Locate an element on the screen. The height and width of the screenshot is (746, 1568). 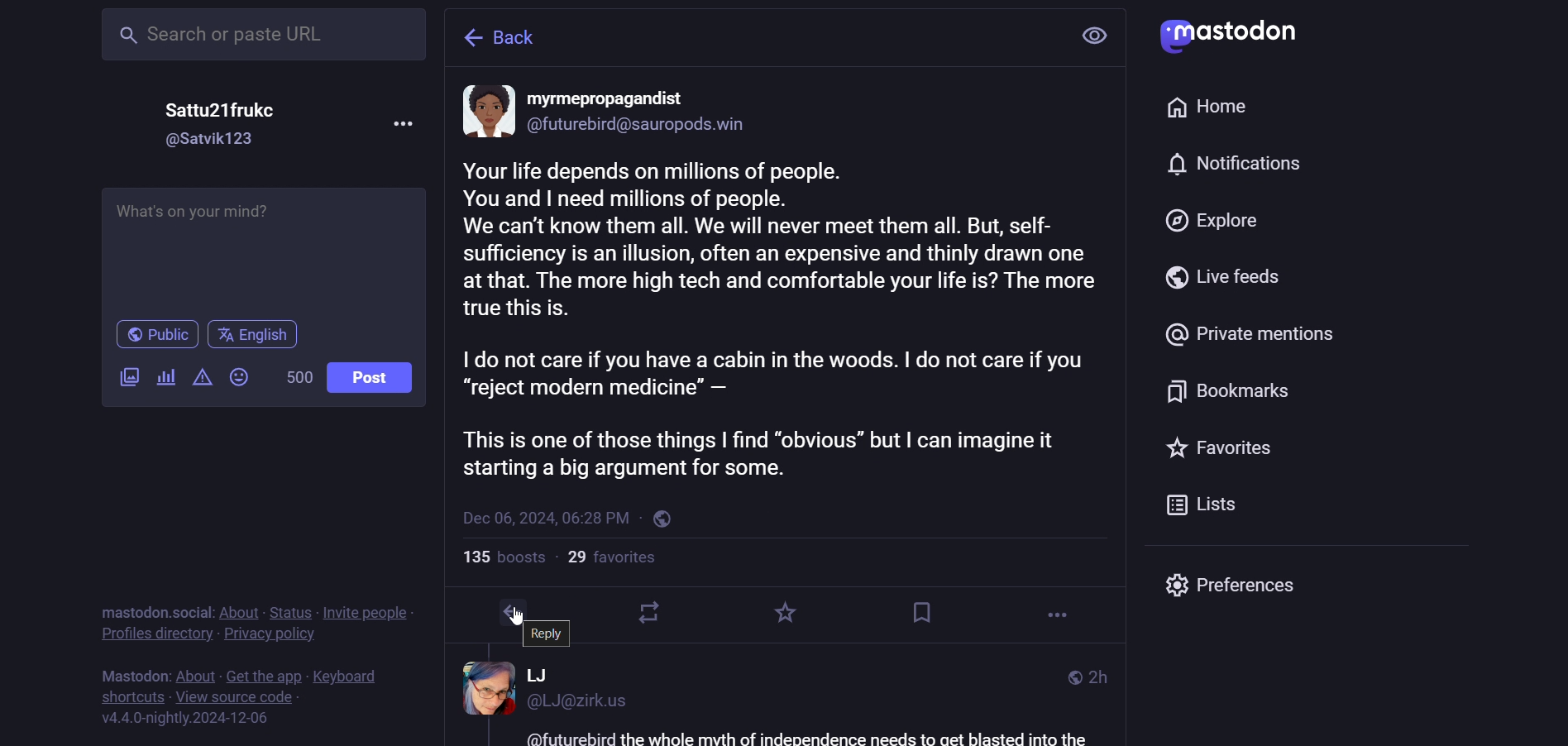
reply is located at coordinates (509, 614).